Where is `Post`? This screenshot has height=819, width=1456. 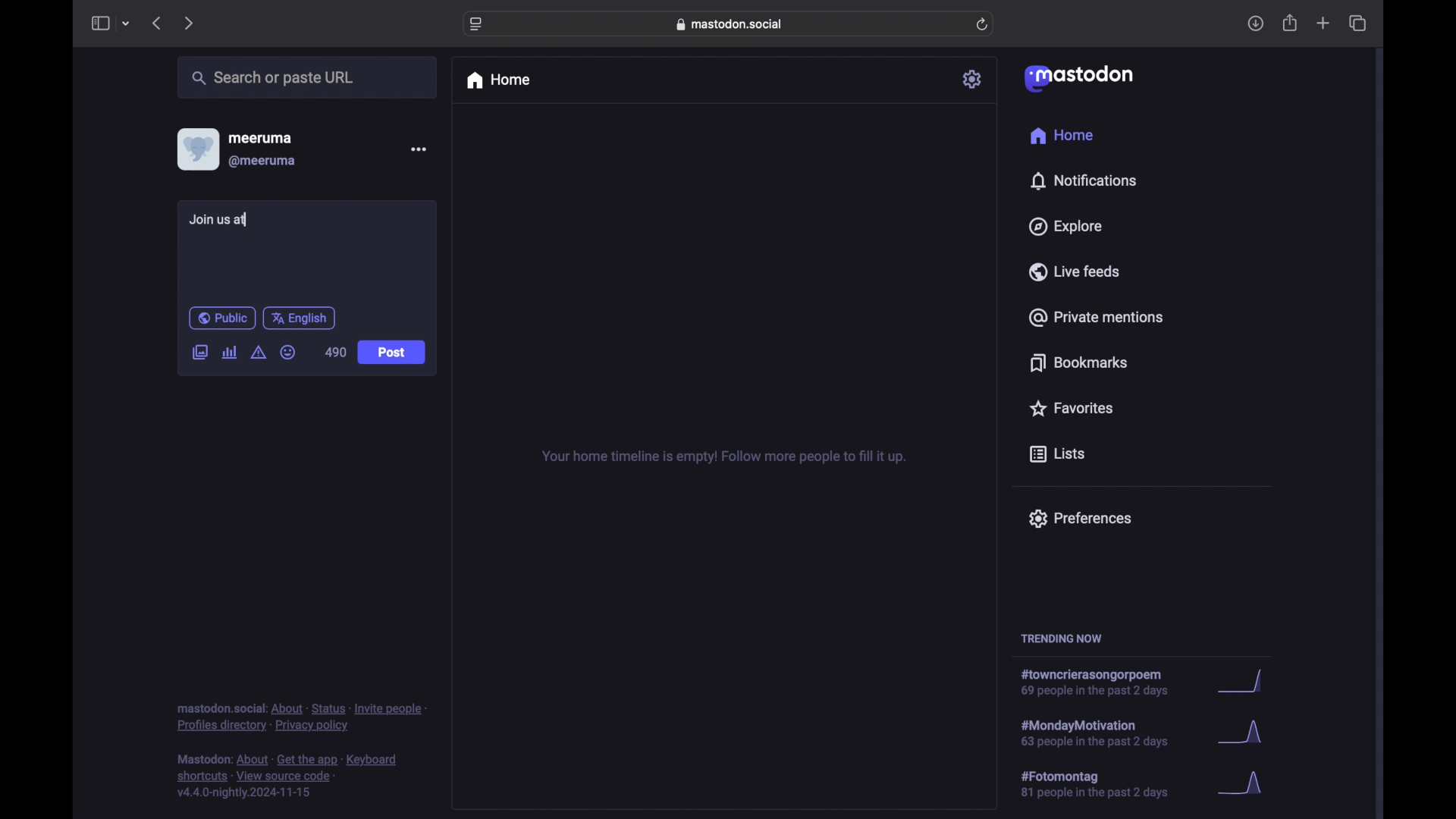 Post is located at coordinates (394, 354).